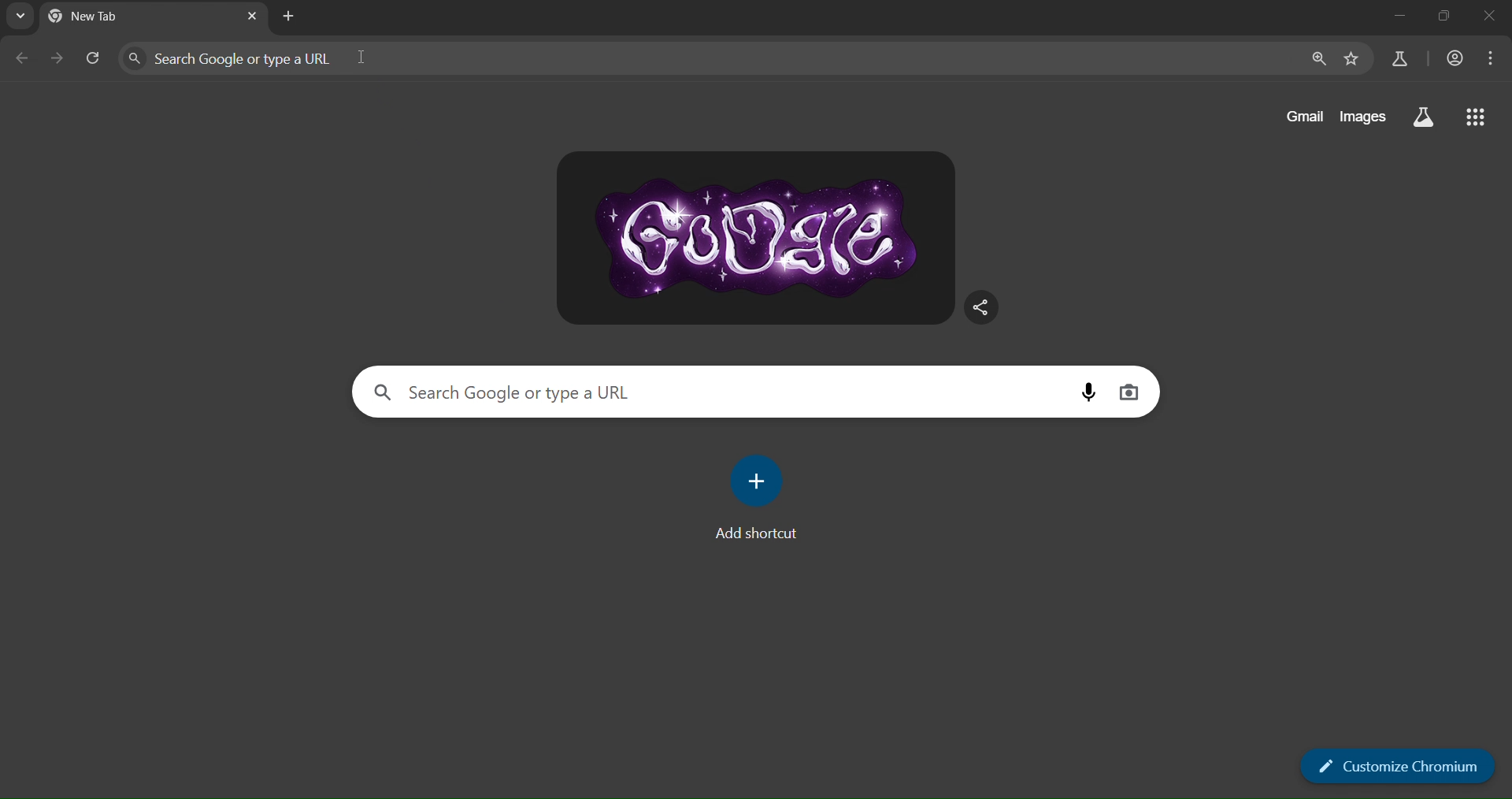 This screenshot has height=799, width=1512. What do you see at coordinates (1303, 116) in the screenshot?
I see `gmail` at bounding box center [1303, 116].